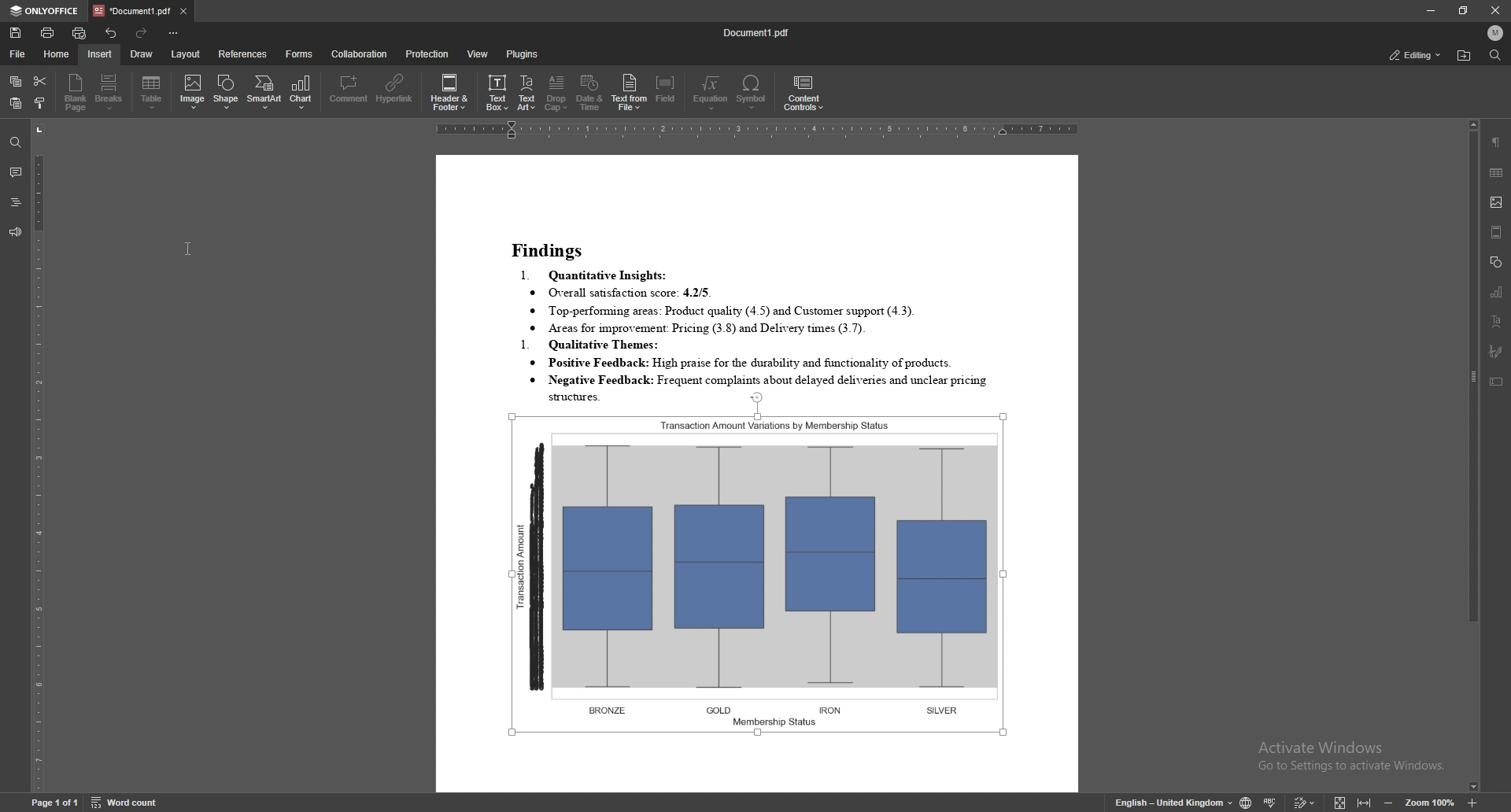 The height and width of the screenshot is (812, 1511). Describe the element at coordinates (153, 92) in the screenshot. I see `table` at that location.